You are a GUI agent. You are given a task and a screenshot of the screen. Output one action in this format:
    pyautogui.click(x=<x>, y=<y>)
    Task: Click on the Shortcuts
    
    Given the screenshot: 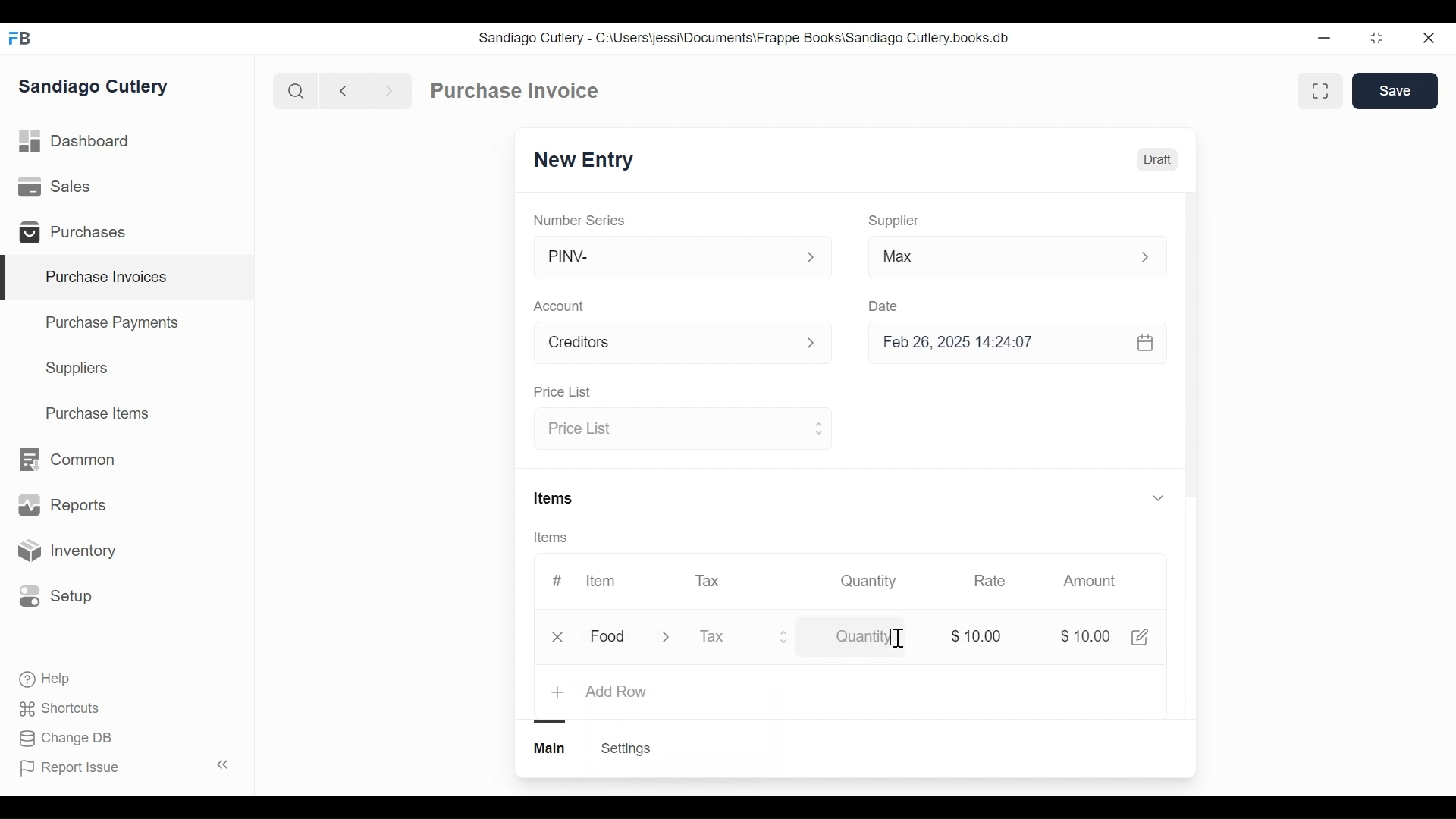 What is the action you would take?
    pyautogui.click(x=61, y=708)
    